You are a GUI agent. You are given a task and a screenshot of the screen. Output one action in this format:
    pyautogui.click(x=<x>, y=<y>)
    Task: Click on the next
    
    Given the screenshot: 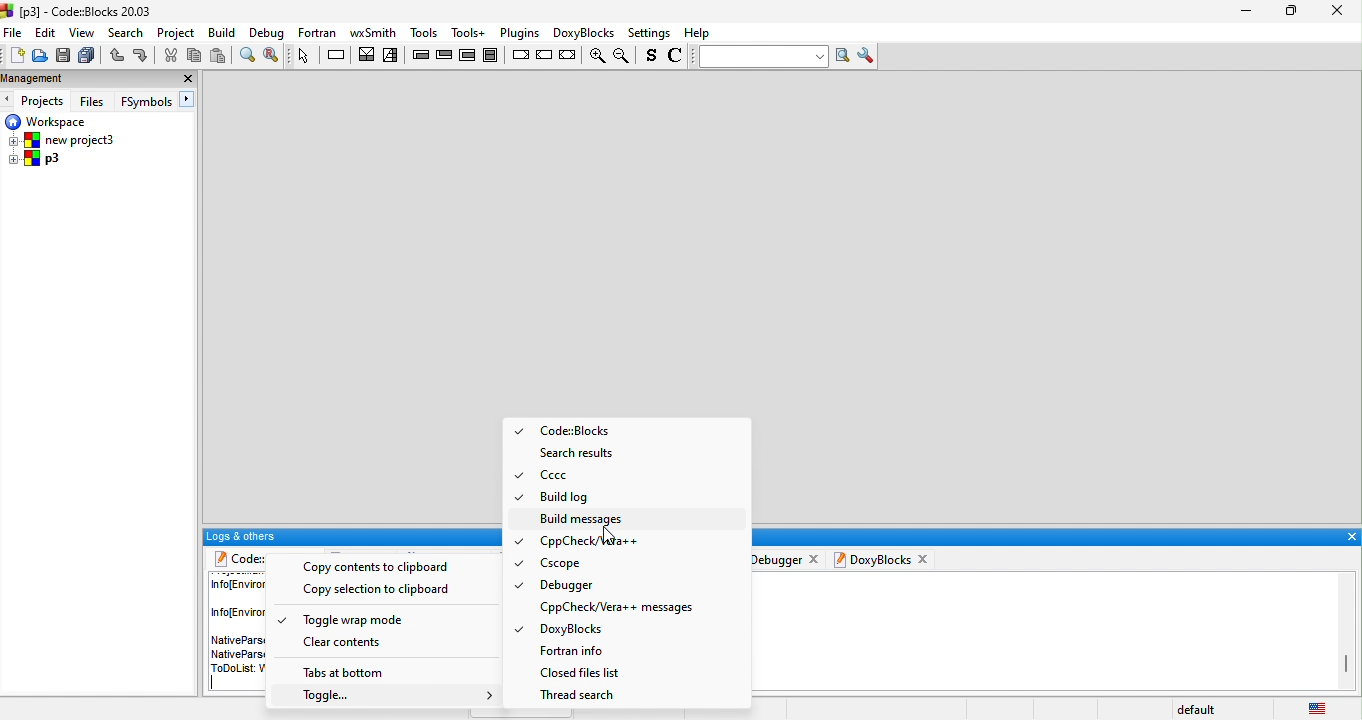 What is the action you would take?
    pyautogui.click(x=189, y=100)
    